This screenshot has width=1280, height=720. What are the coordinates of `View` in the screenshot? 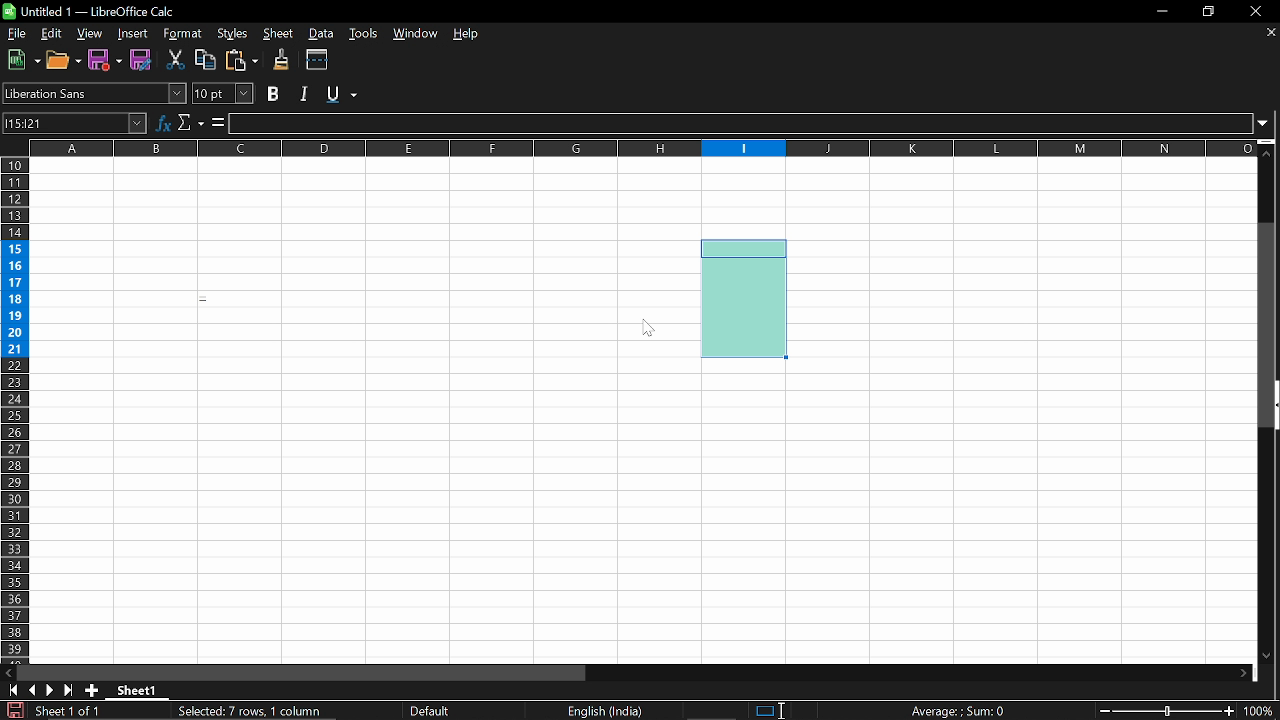 It's located at (90, 34).